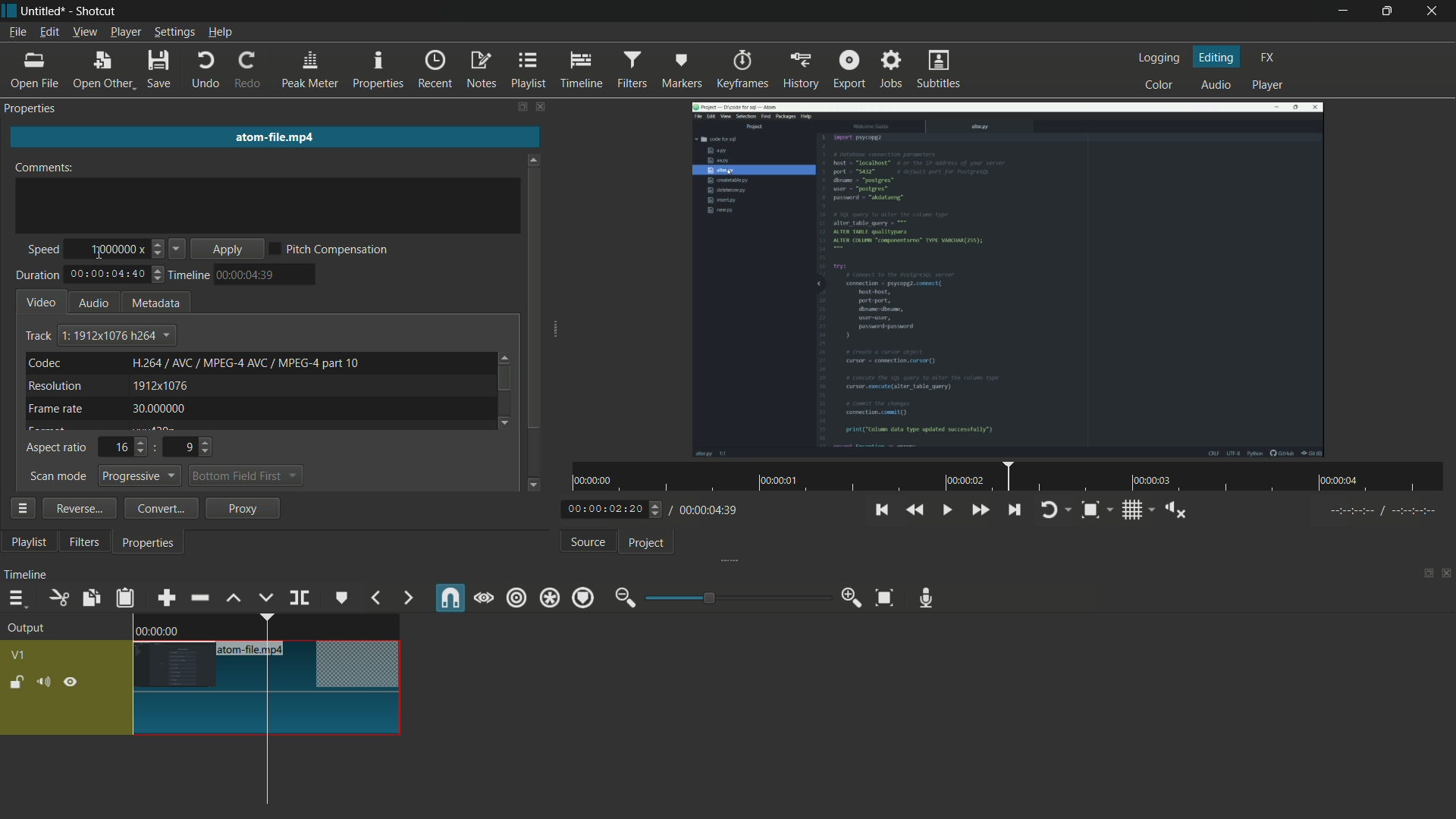  What do you see at coordinates (648, 542) in the screenshot?
I see `project` at bounding box center [648, 542].